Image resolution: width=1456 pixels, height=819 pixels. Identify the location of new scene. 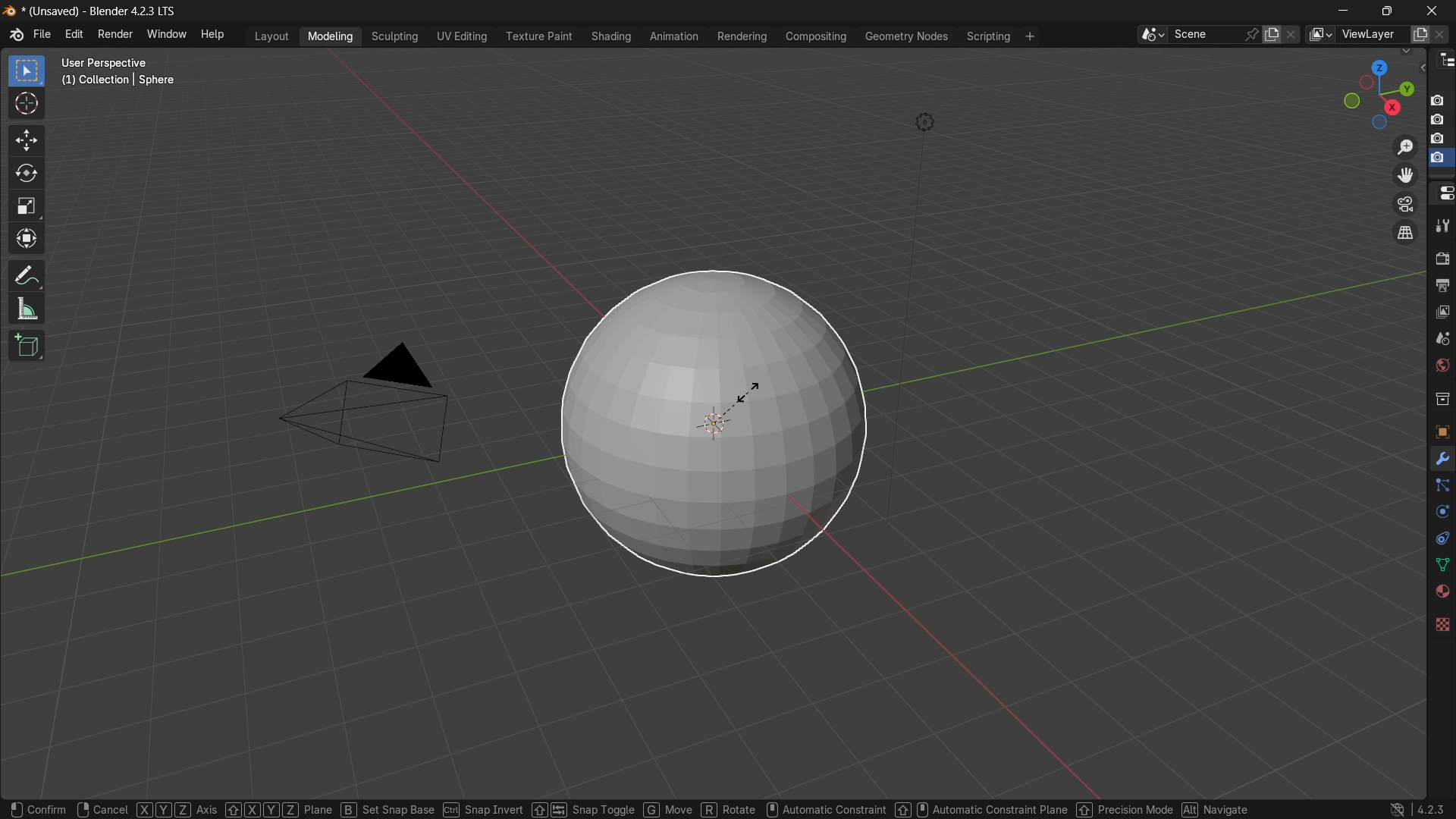
(1272, 34).